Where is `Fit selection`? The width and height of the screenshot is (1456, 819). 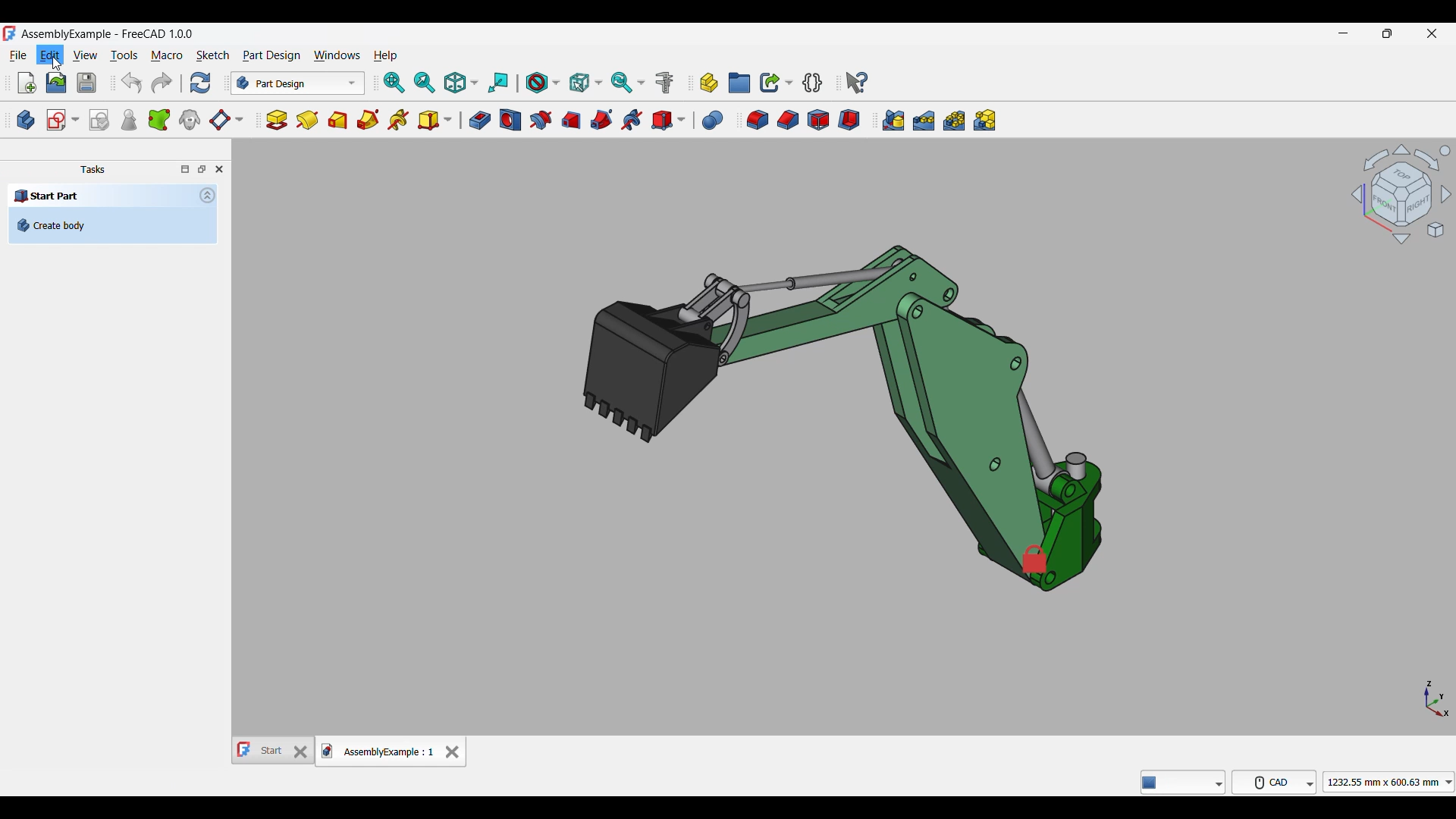 Fit selection is located at coordinates (425, 82).